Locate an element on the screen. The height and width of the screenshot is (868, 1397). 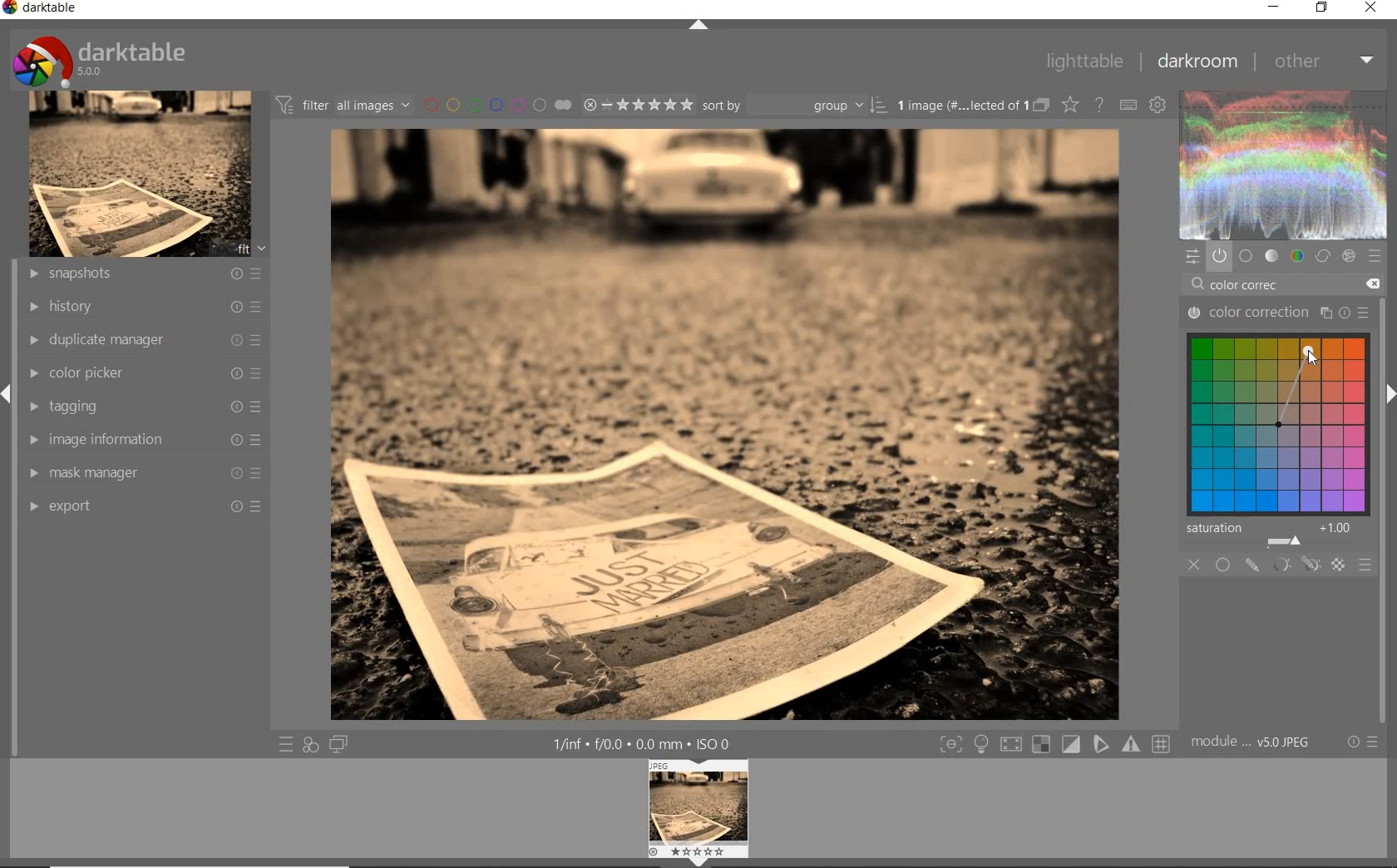
define keyboard shortcut is located at coordinates (1128, 104).